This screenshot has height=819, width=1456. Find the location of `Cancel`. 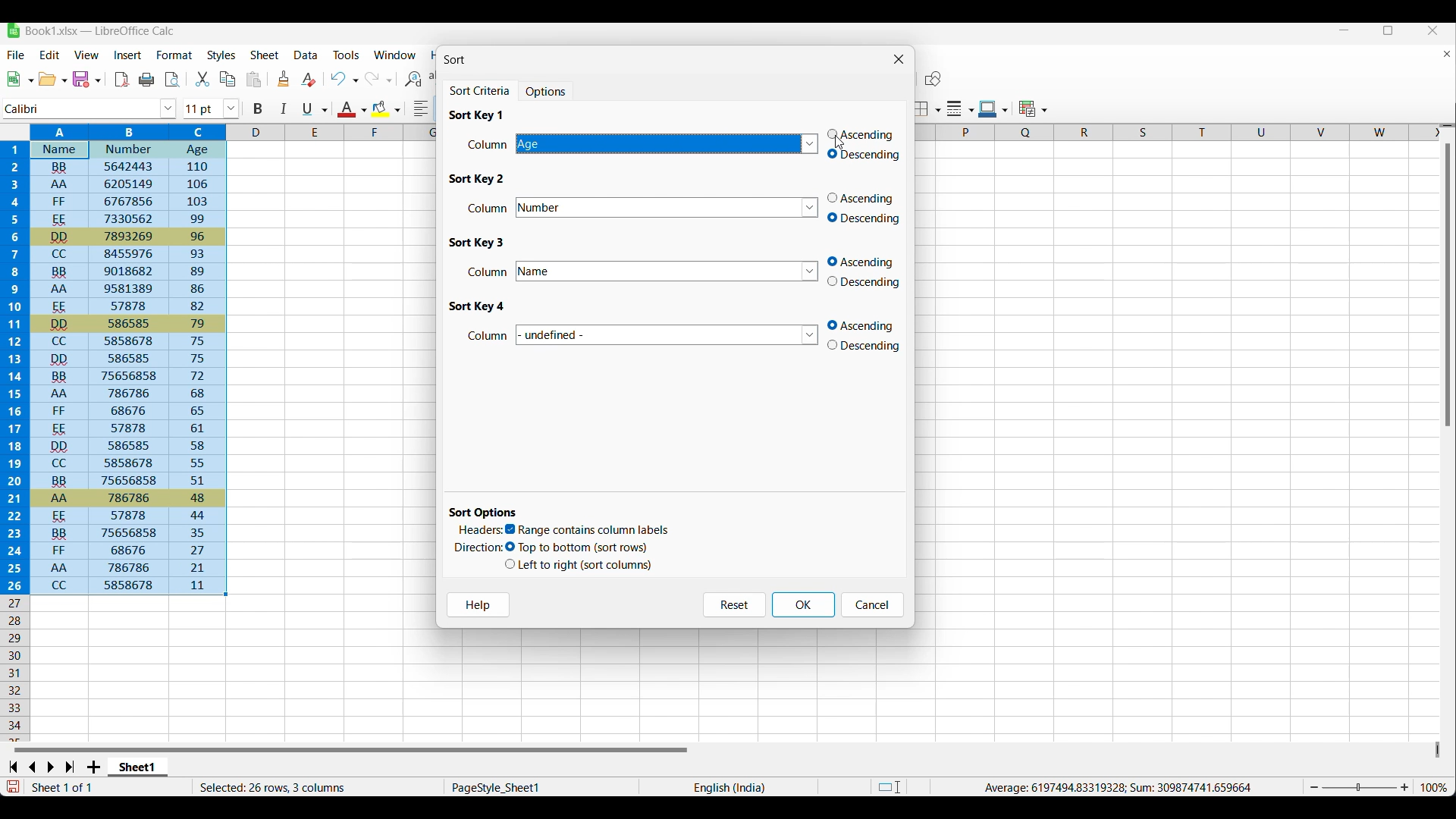

Cancel is located at coordinates (873, 605).